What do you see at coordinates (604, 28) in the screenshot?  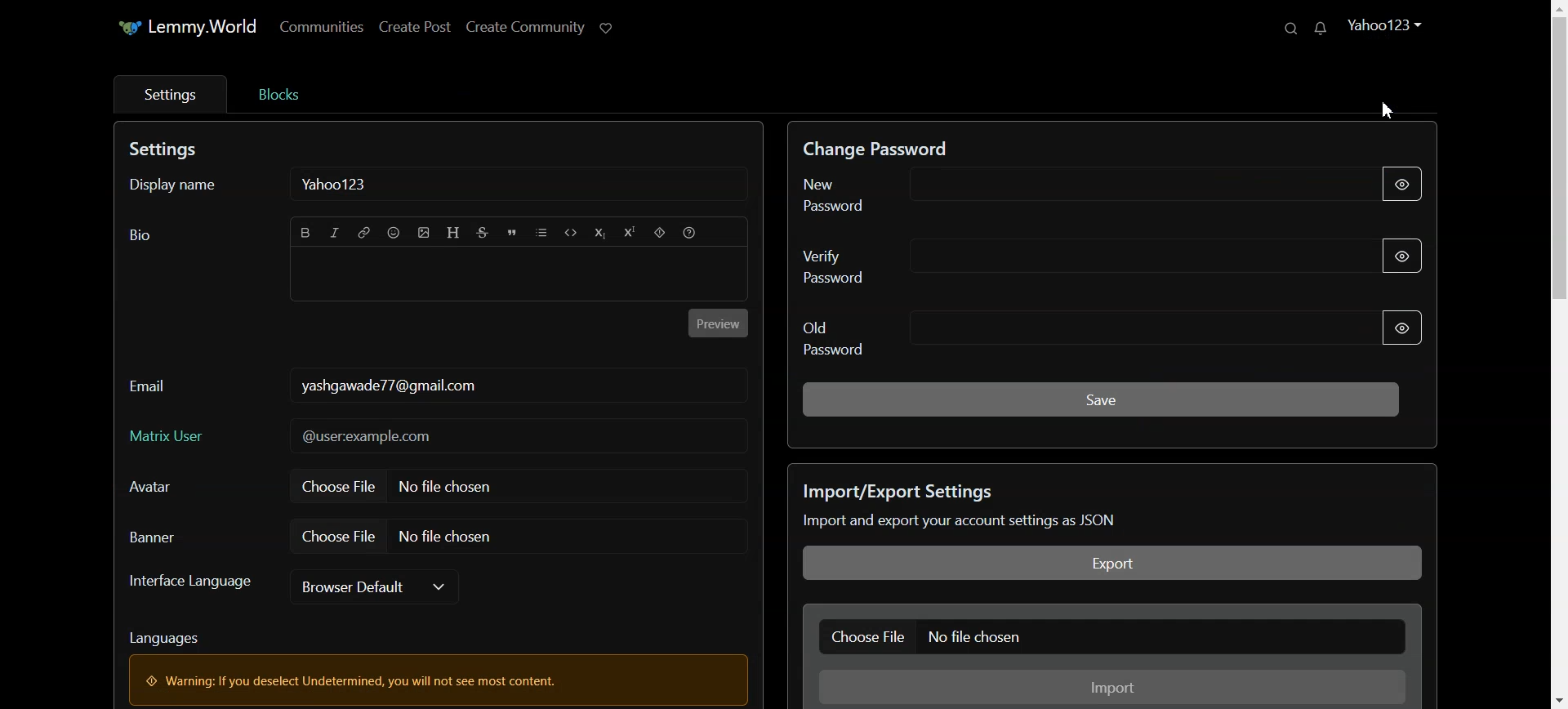 I see `Support lemmy` at bounding box center [604, 28].